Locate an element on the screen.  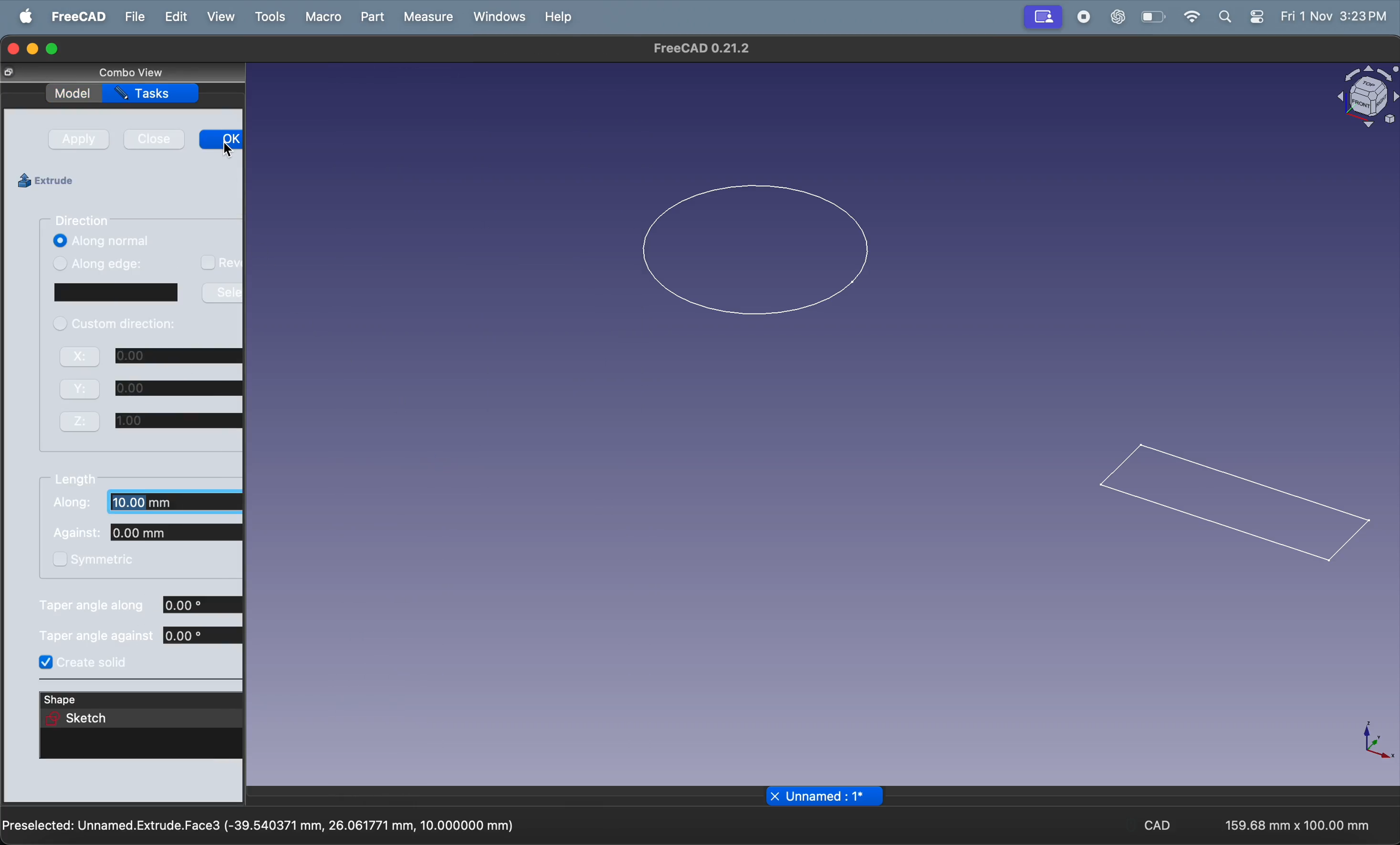
0.00 is located at coordinates (202, 604).